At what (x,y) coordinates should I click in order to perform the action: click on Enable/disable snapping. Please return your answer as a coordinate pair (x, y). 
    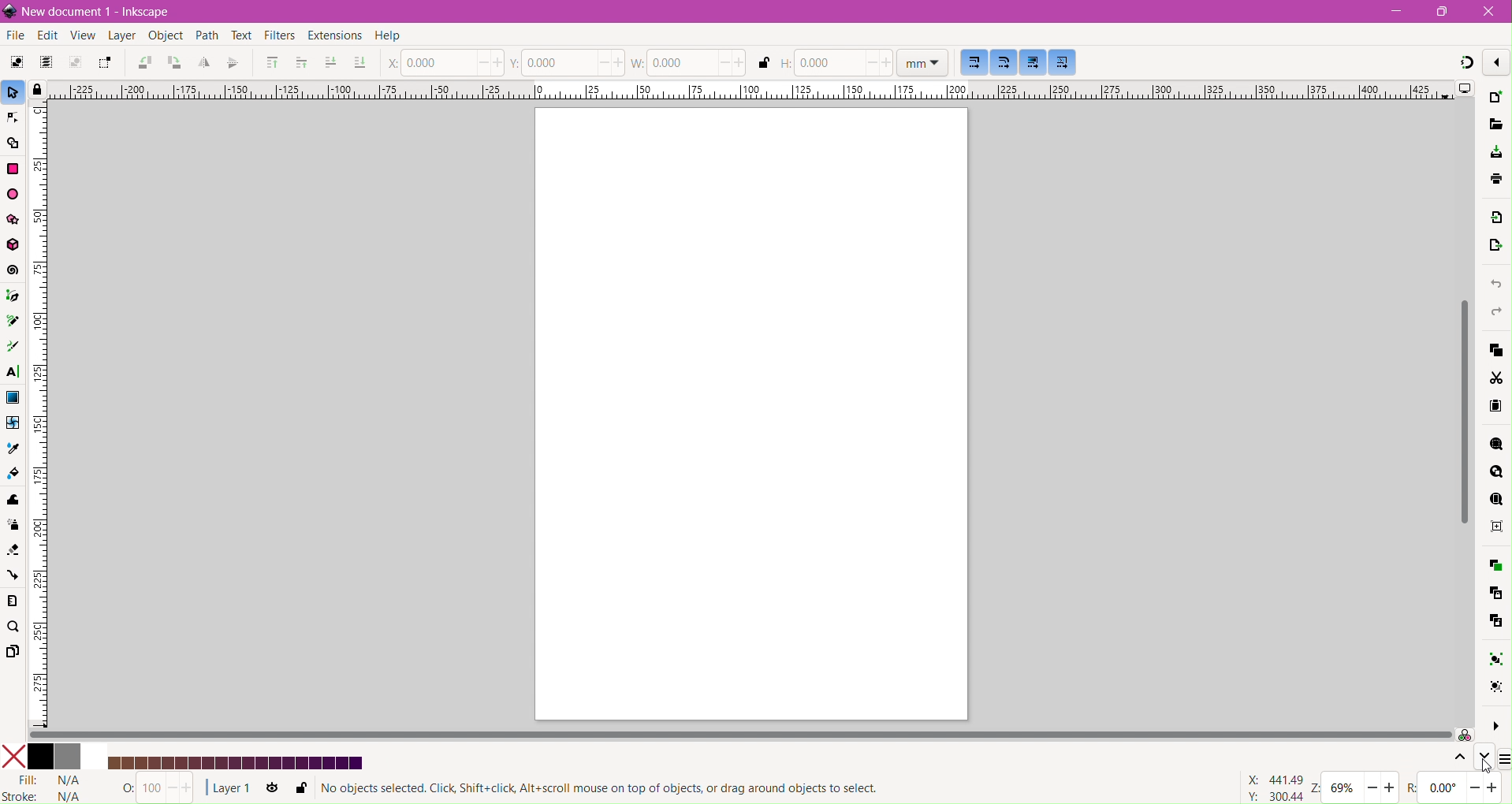
    Looking at the image, I should click on (1497, 61).